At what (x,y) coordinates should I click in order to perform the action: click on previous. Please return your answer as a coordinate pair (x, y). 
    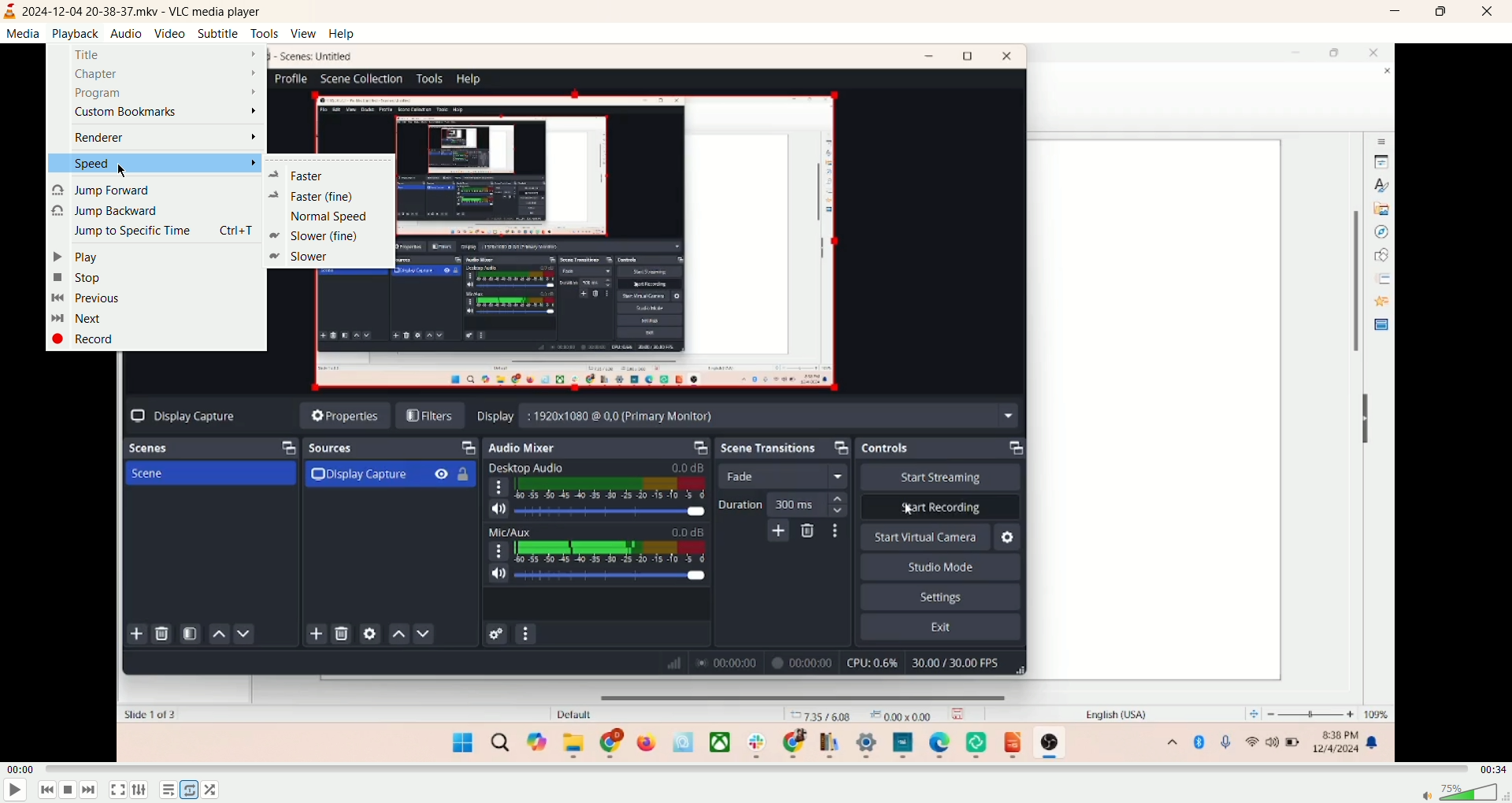
    Looking at the image, I should click on (87, 298).